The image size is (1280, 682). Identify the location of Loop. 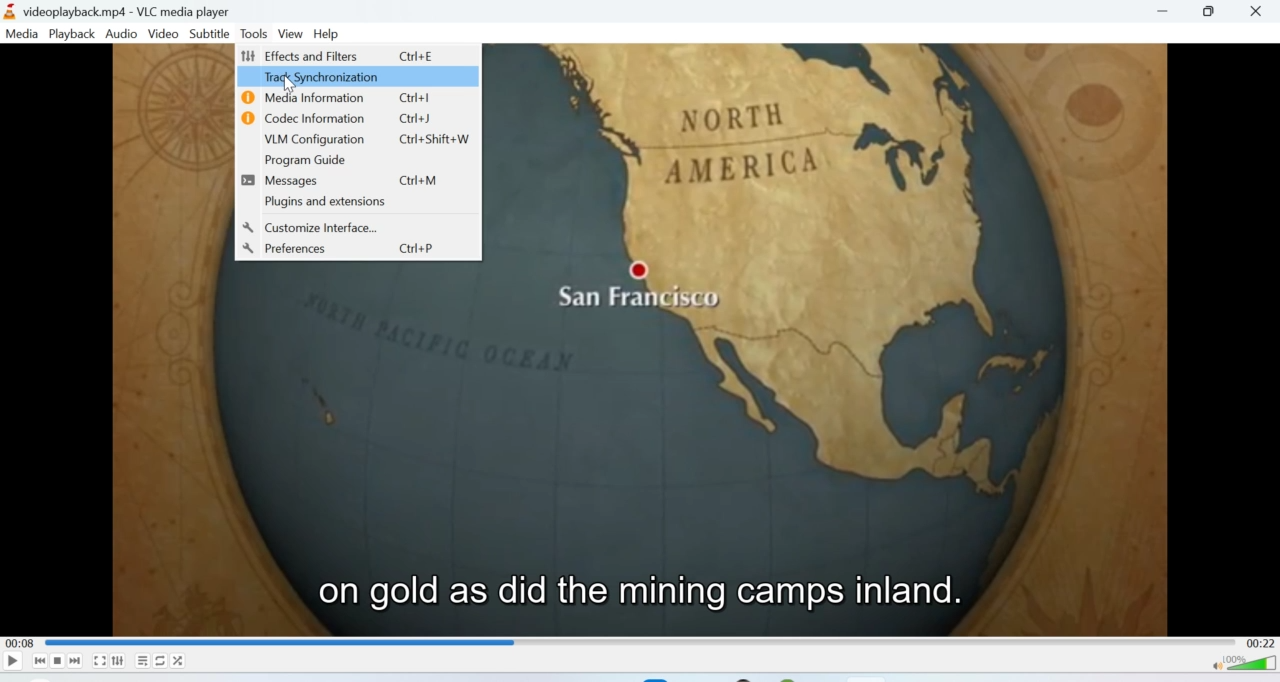
(158, 660).